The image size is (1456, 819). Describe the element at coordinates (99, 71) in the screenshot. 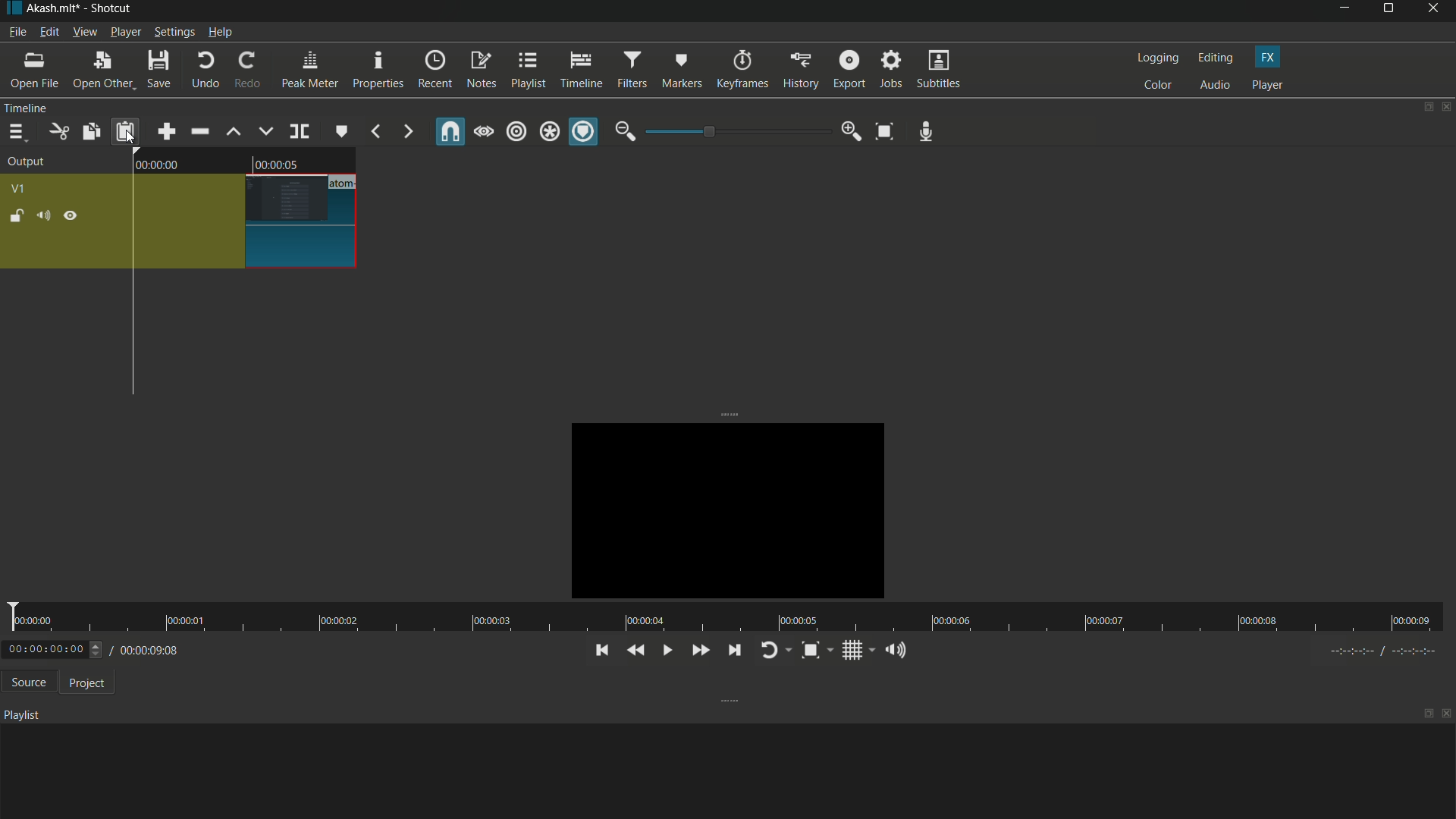

I see `open other` at that location.